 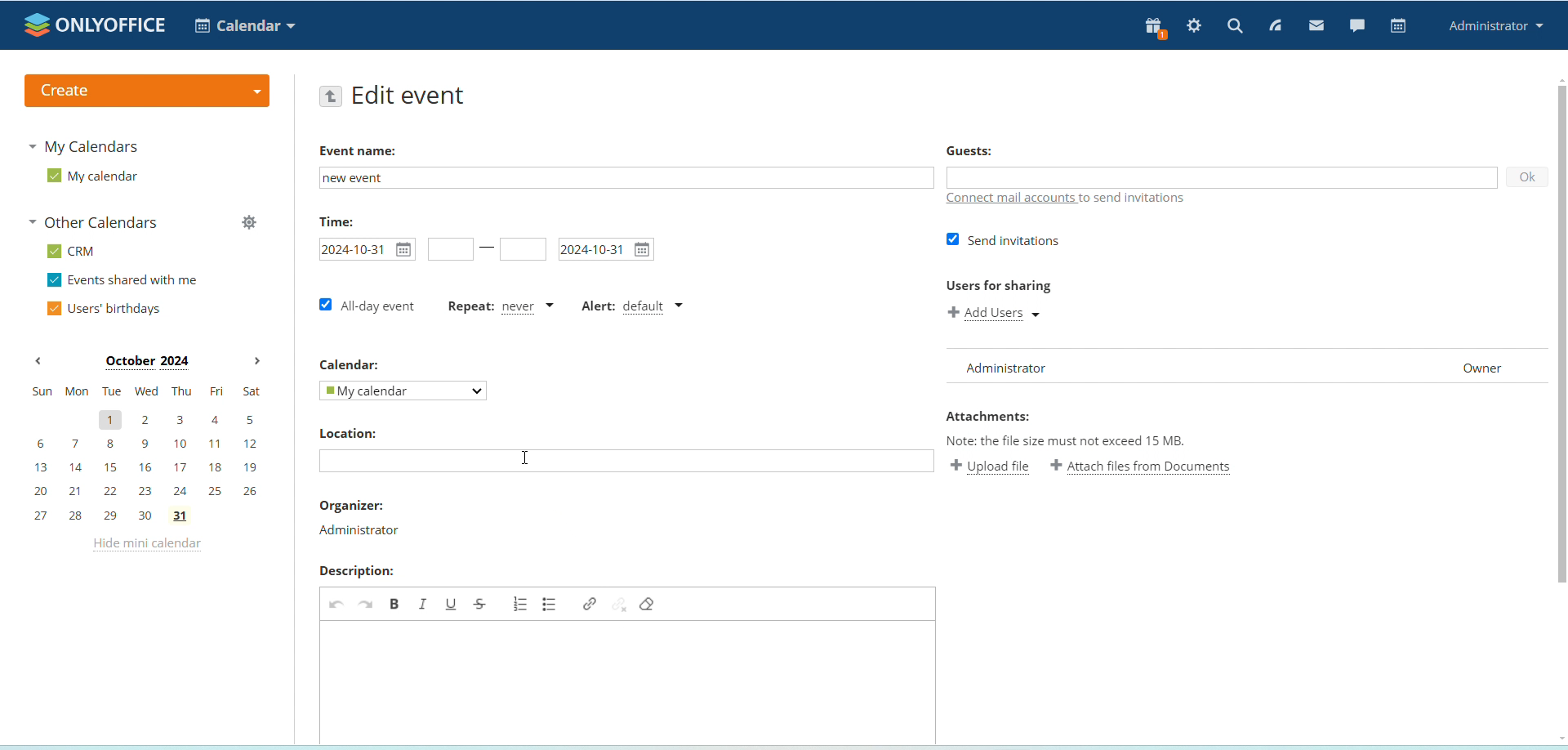 I want to click on event repetition, so click(x=501, y=309).